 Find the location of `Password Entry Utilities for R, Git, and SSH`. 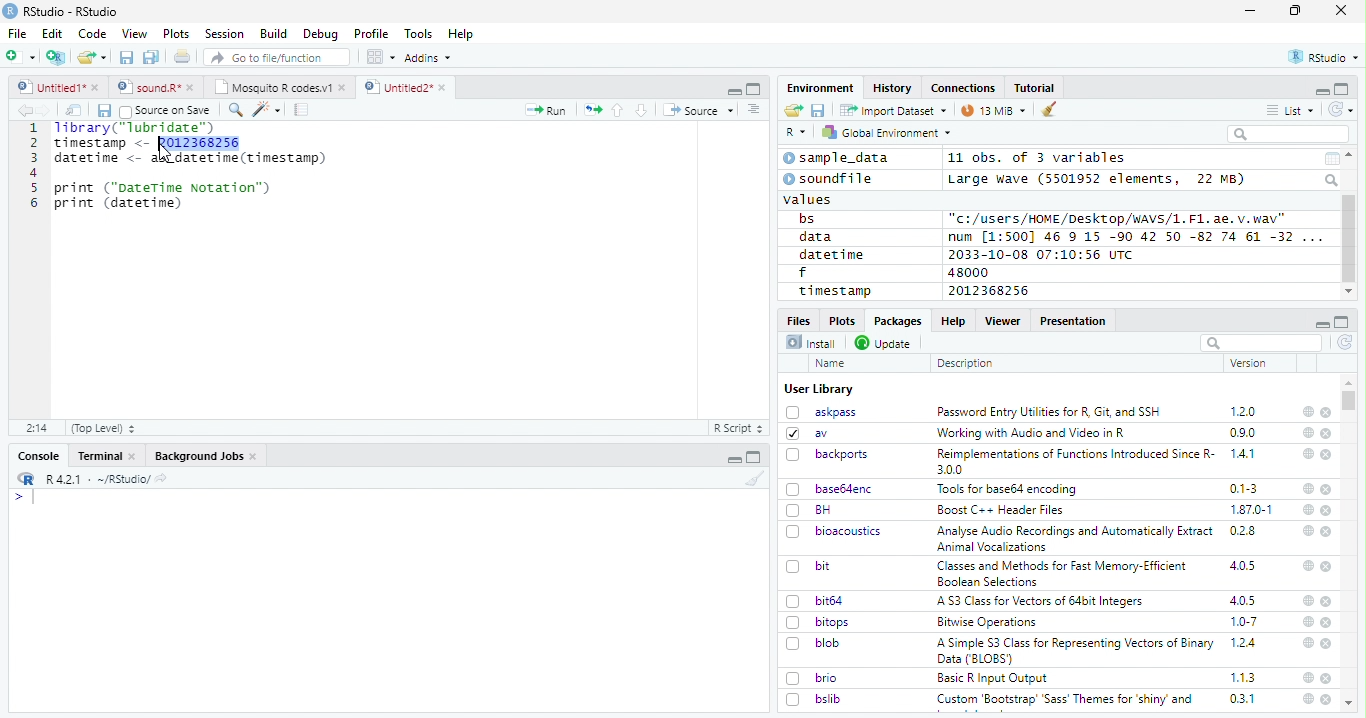

Password Entry Utilities for R, Git, and SSH is located at coordinates (1049, 412).